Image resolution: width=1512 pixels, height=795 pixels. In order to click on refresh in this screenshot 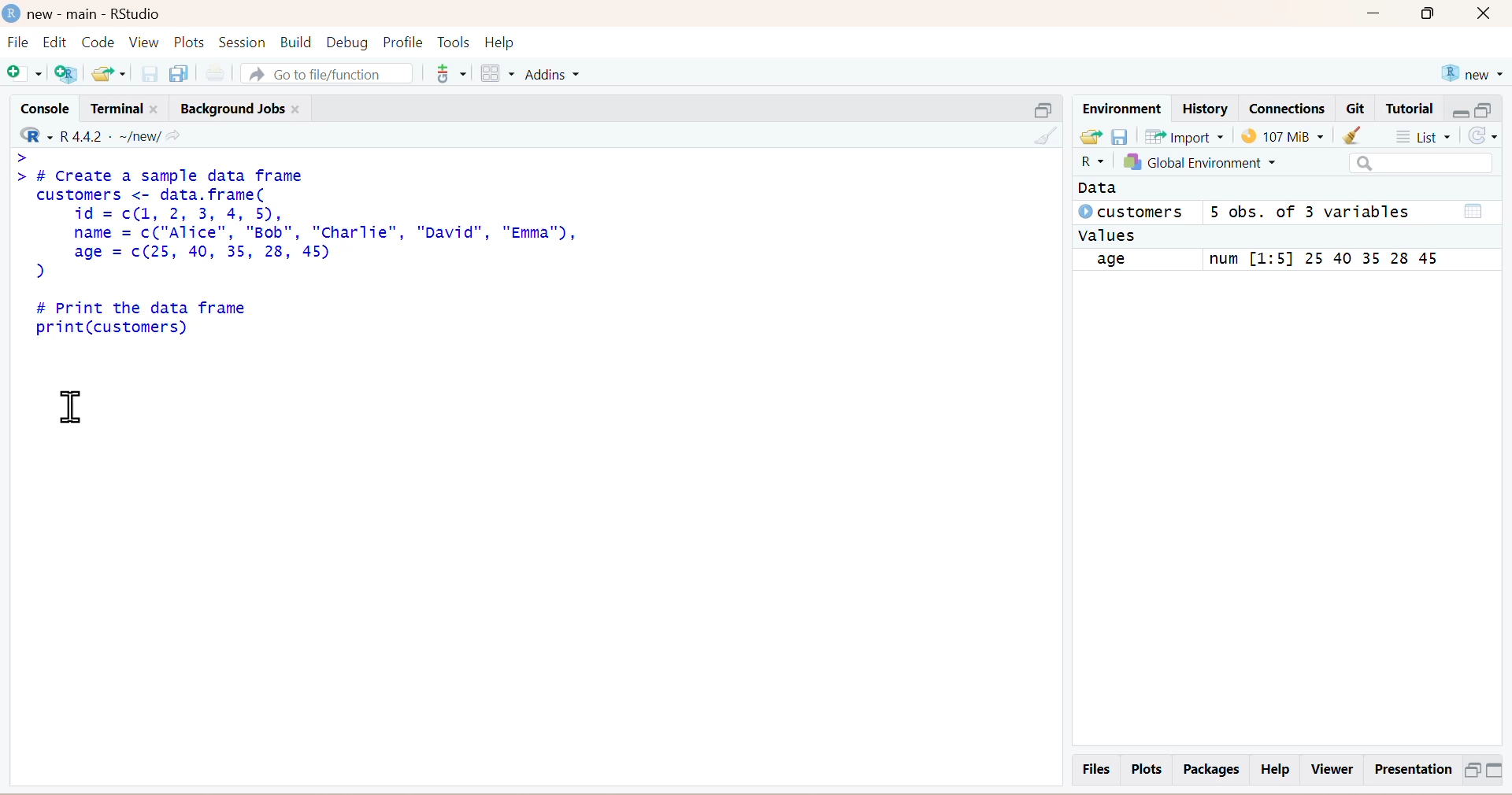, I will do `click(1489, 138)`.